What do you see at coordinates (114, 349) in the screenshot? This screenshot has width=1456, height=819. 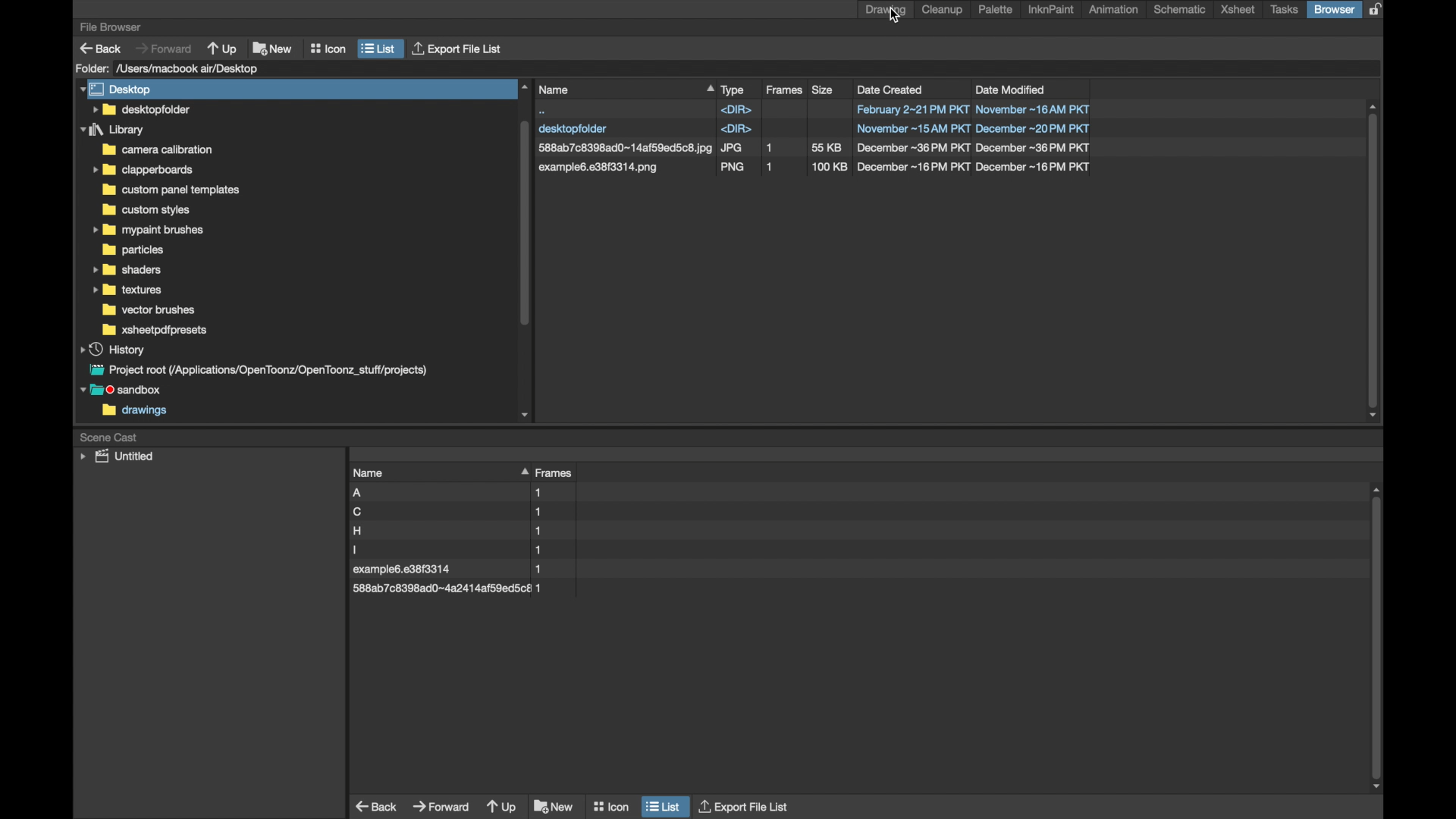 I see `history` at bounding box center [114, 349].